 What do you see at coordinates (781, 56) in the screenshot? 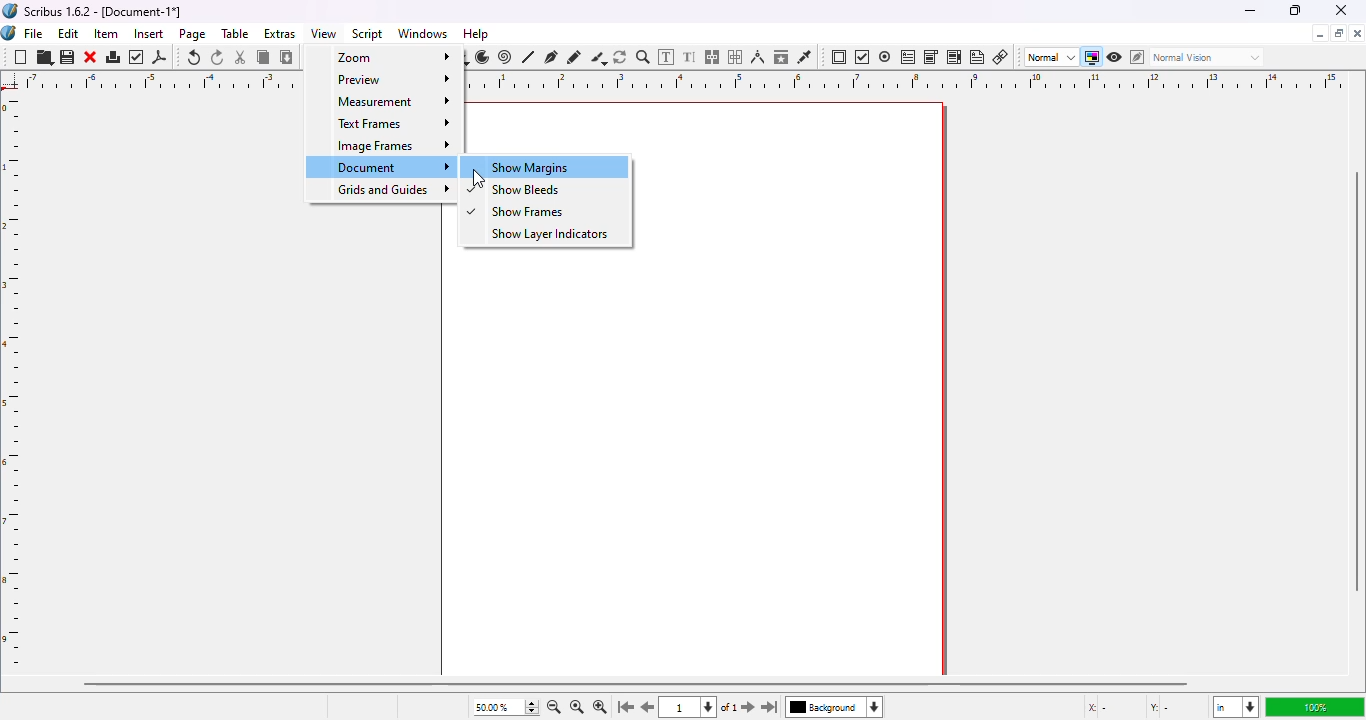
I see `copy item properties` at bounding box center [781, 56].